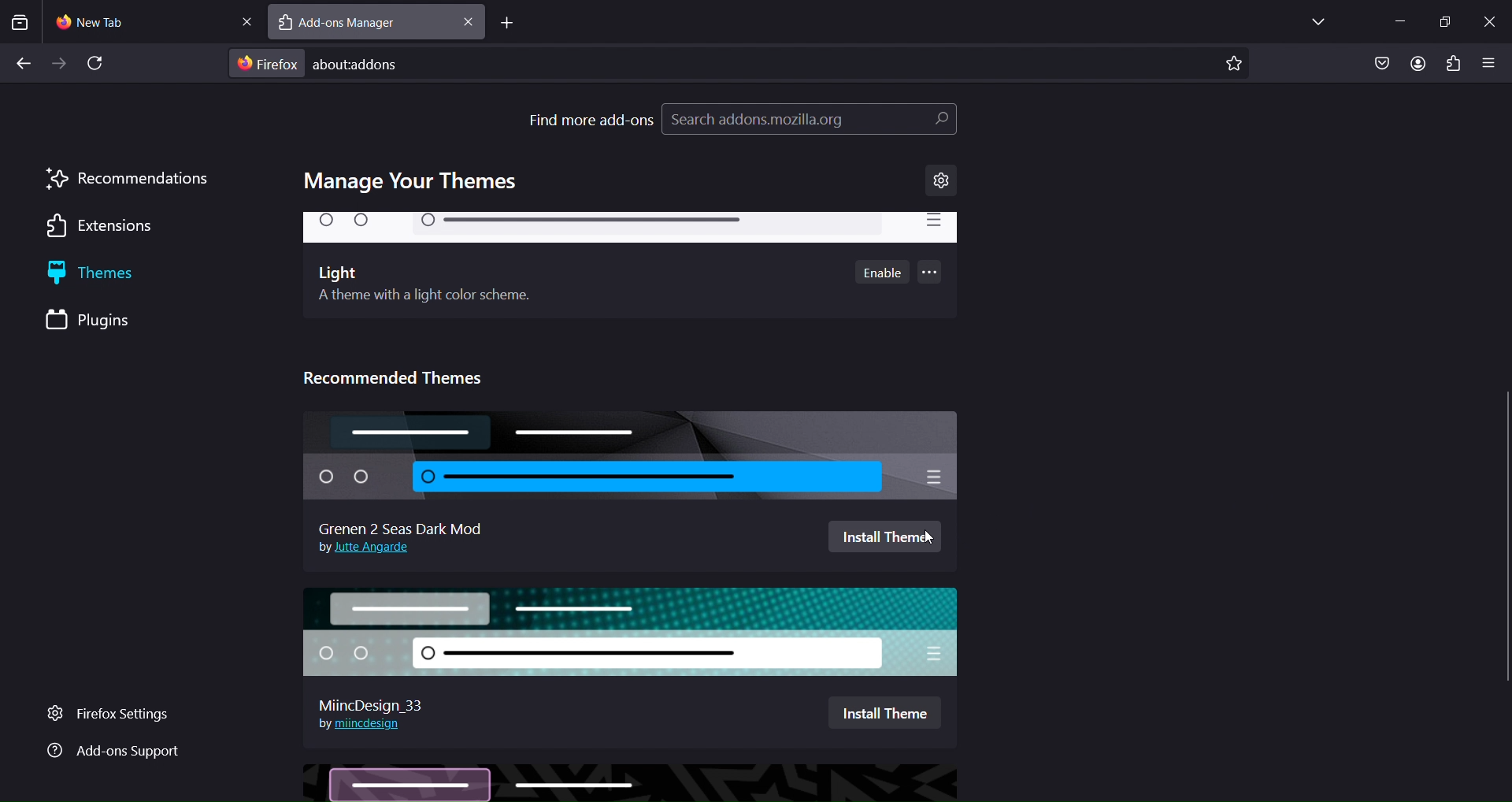 The width and height of the screenshot is (1512, 802). What do you see at coordinates (1380, 64) in the screenshot?
I see `save to pocket` at bounding box center [1380, 64].